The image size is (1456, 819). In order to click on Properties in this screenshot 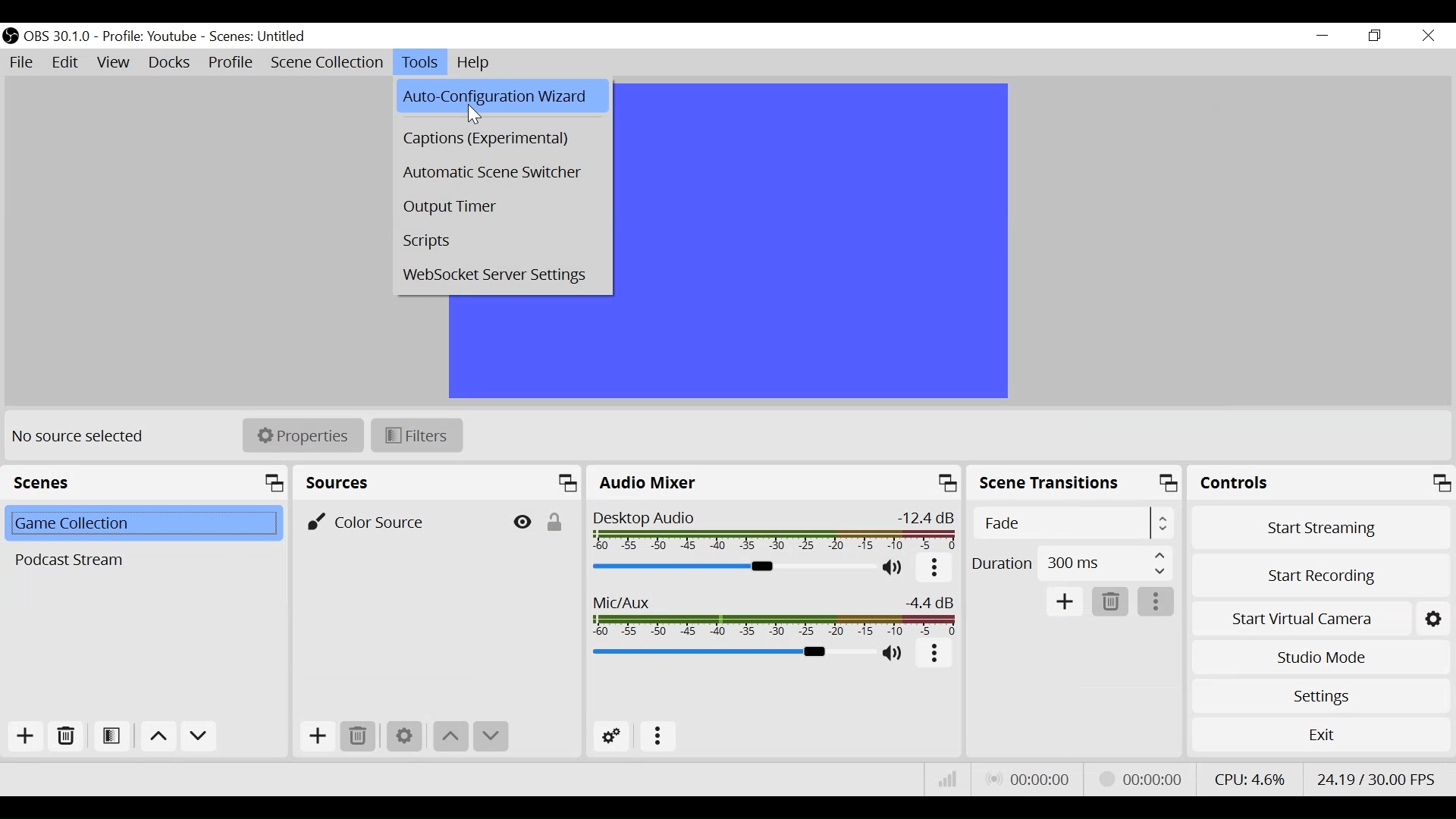, I will do `click(303, 435)`.